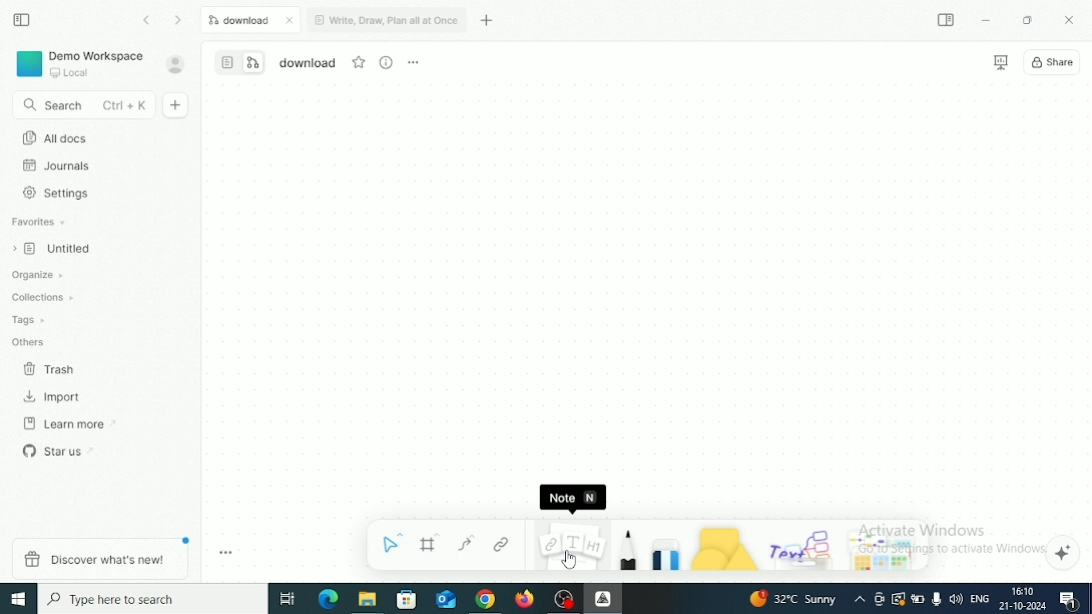  Describe the element at coordinates (502, 546) in the screenshot. I see `Link` at that location.